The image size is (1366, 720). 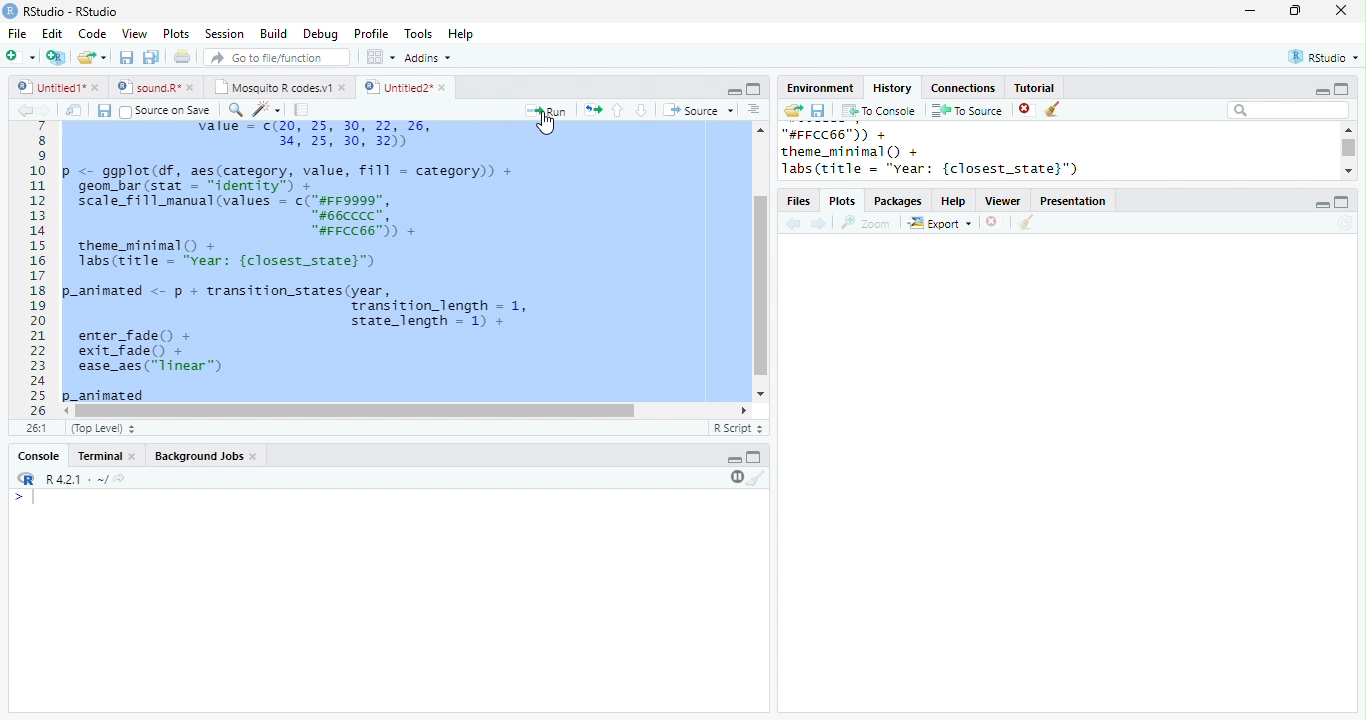 What do you see at coordinates (842, 201) in the screenshot?
I see `Plots` at bounding box center [842, 201].